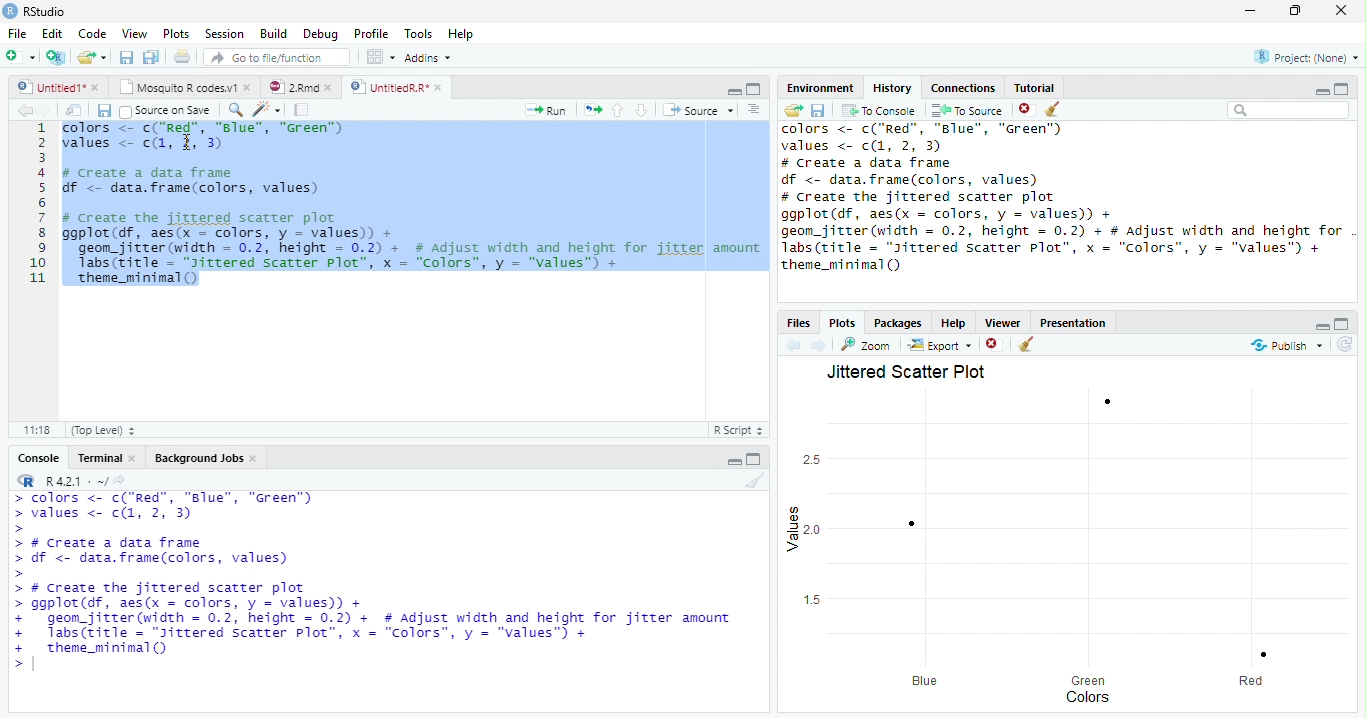 This screenshot has width=1366, height=718. I want to click on > Colors <- ¢L eS, Bima", Wreew)

> values <- c(1, 2, 3)

>

> # Create a data frame

> df <- data.frame(colors, values)

>

> # Create the jittered scatter plot

> ggplot(df, aes(x = colors, y = values) +

+ geom_jitter(width = 0.2, height = 0.2) + # Adjust width and height for jitter amount
+ abs(title = "Jittered scatter plot”, x = “Colors”, y = "values™) +
+ theme_minimal()

>, so click(375, 582).